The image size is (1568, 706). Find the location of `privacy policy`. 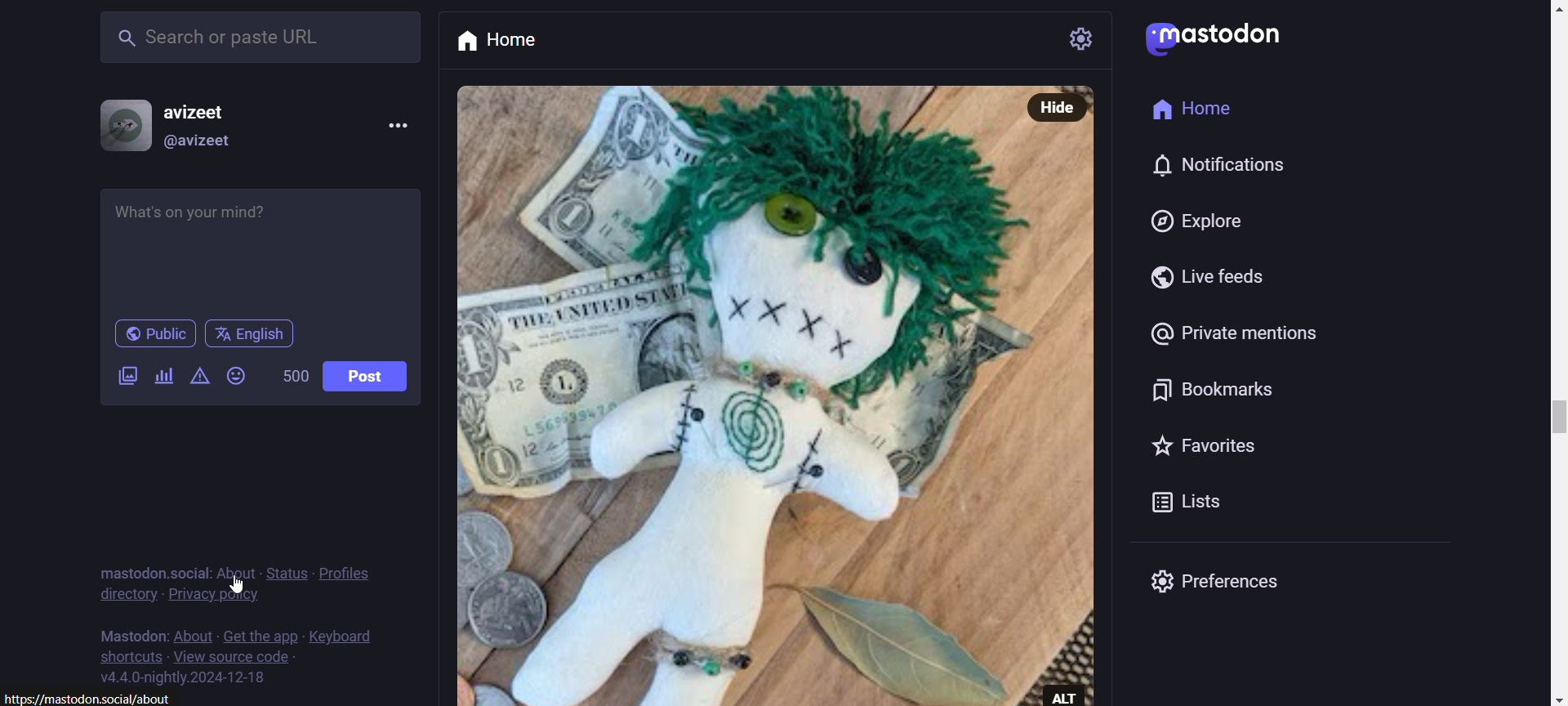

privacy policy is located at coordinates (216, 598).